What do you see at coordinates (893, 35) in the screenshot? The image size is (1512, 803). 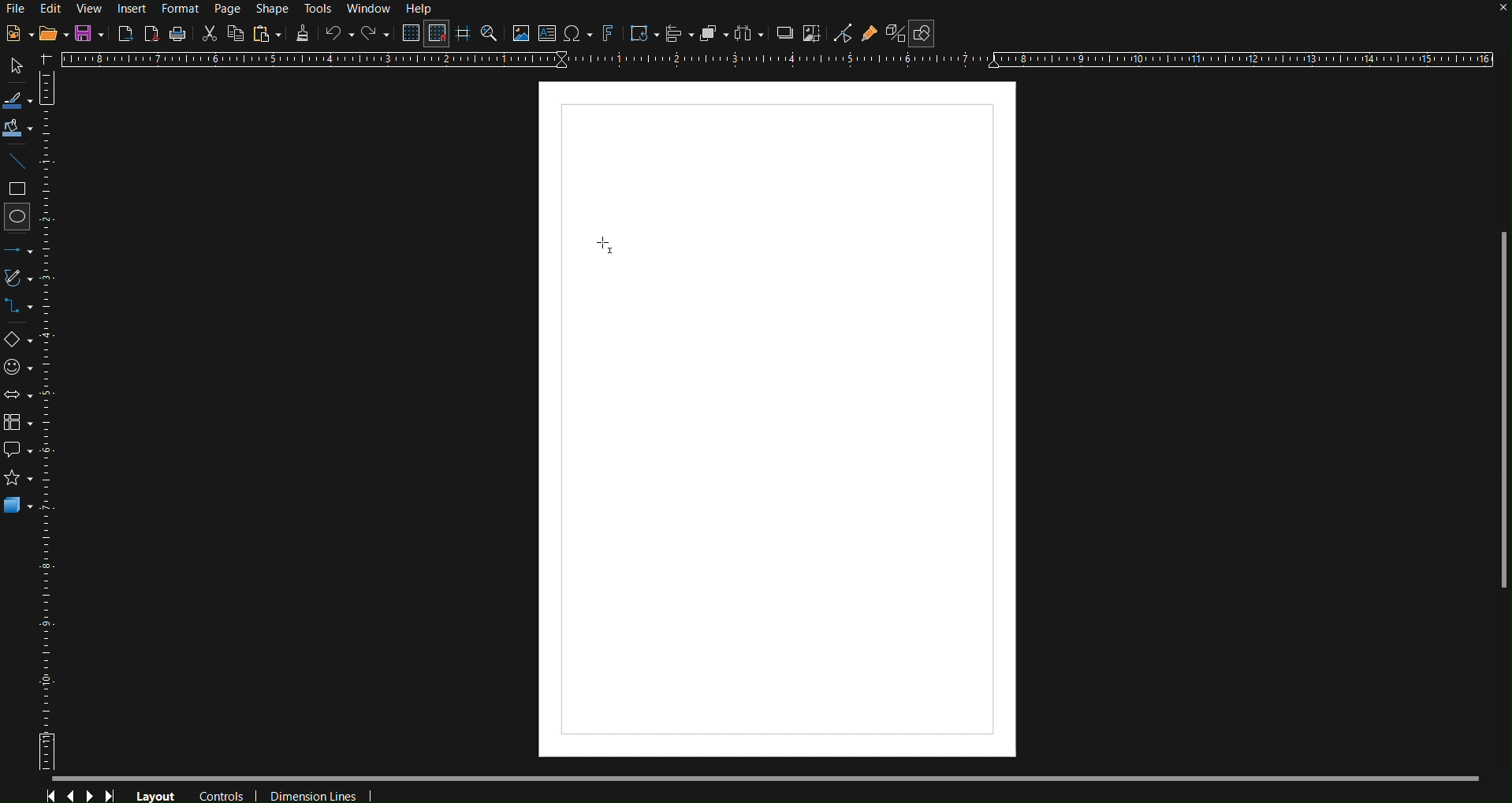 I see `Toggle Extrusion` at bounding box center [893, 35].